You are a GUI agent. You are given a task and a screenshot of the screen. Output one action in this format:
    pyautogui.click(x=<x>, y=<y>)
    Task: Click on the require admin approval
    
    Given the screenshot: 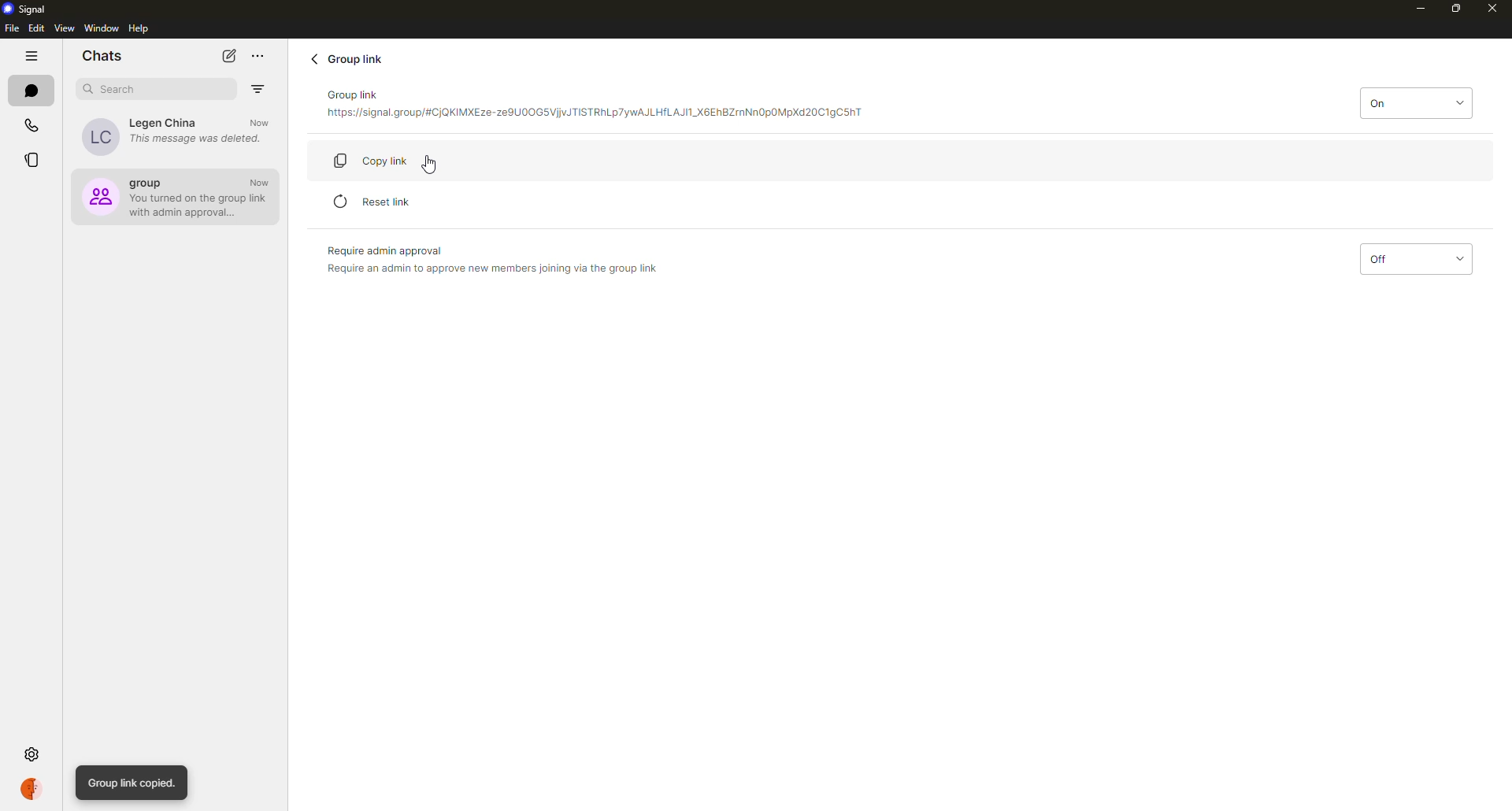 What is the action you would take?
    pyautogui.click(x=491, y=259)
    